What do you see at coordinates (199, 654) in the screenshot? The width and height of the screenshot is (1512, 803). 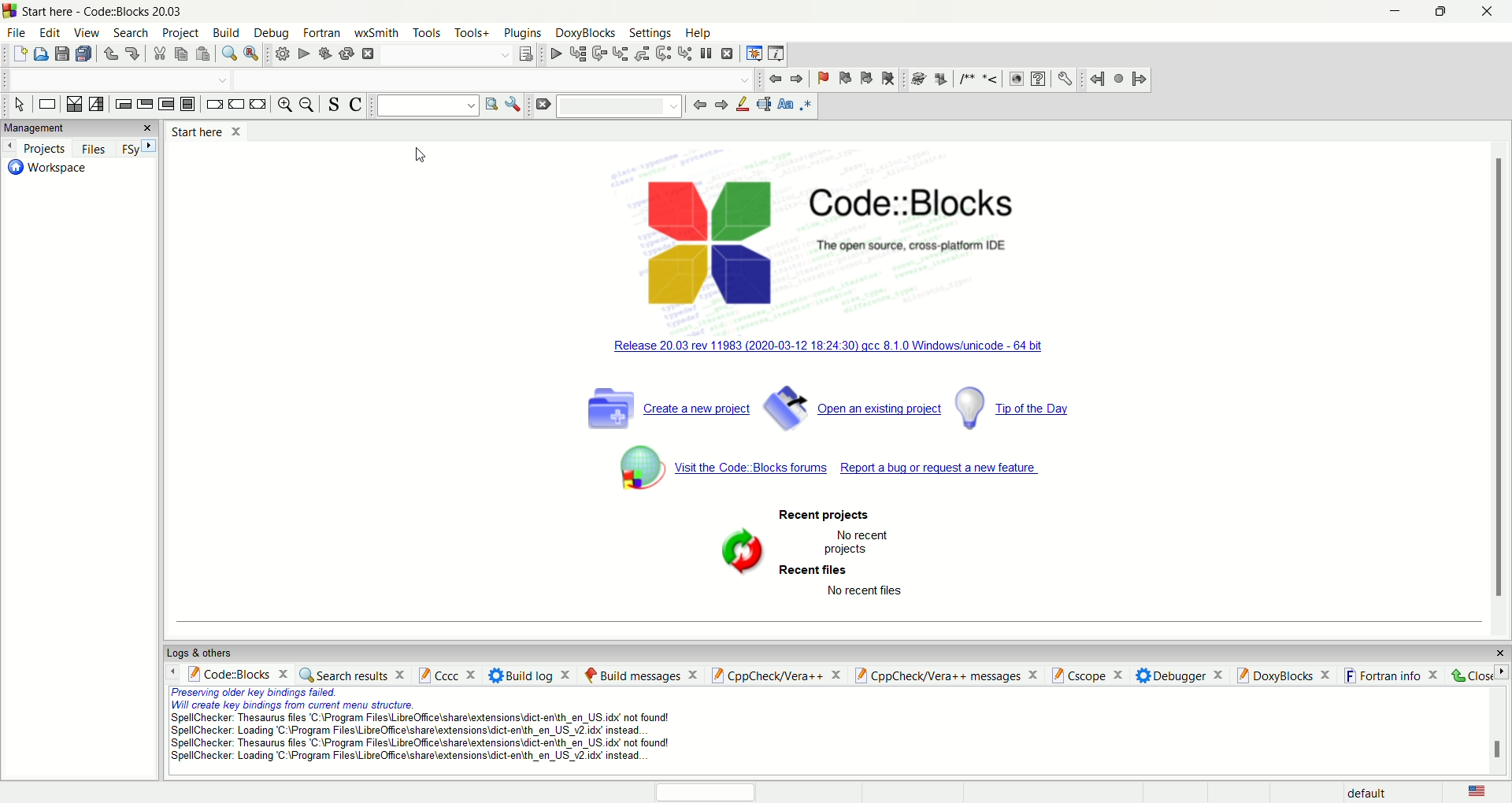 I see `logs and others` at bounding box center [199, 654].